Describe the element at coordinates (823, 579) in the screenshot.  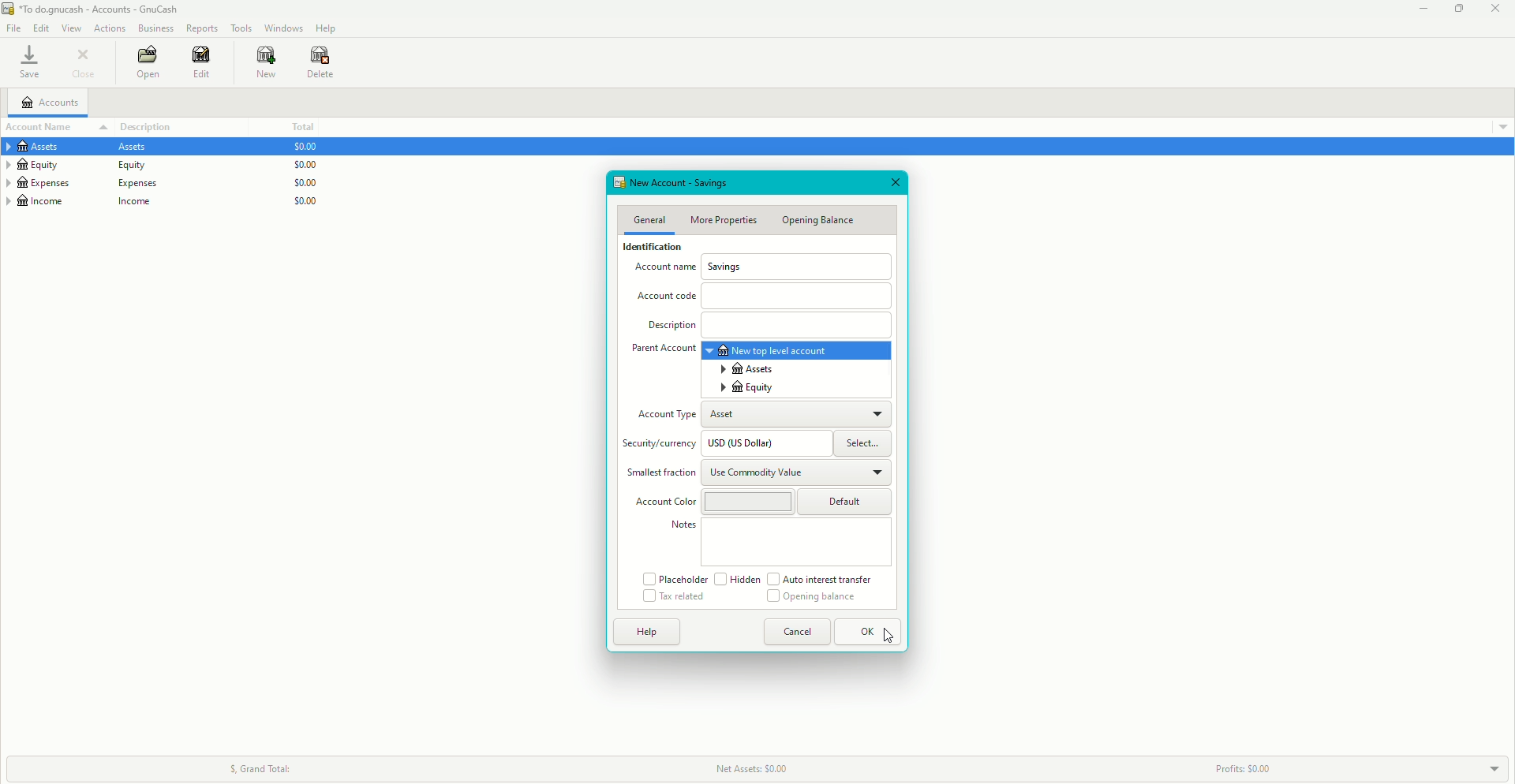
I see `Auto interest transfer` at that location.